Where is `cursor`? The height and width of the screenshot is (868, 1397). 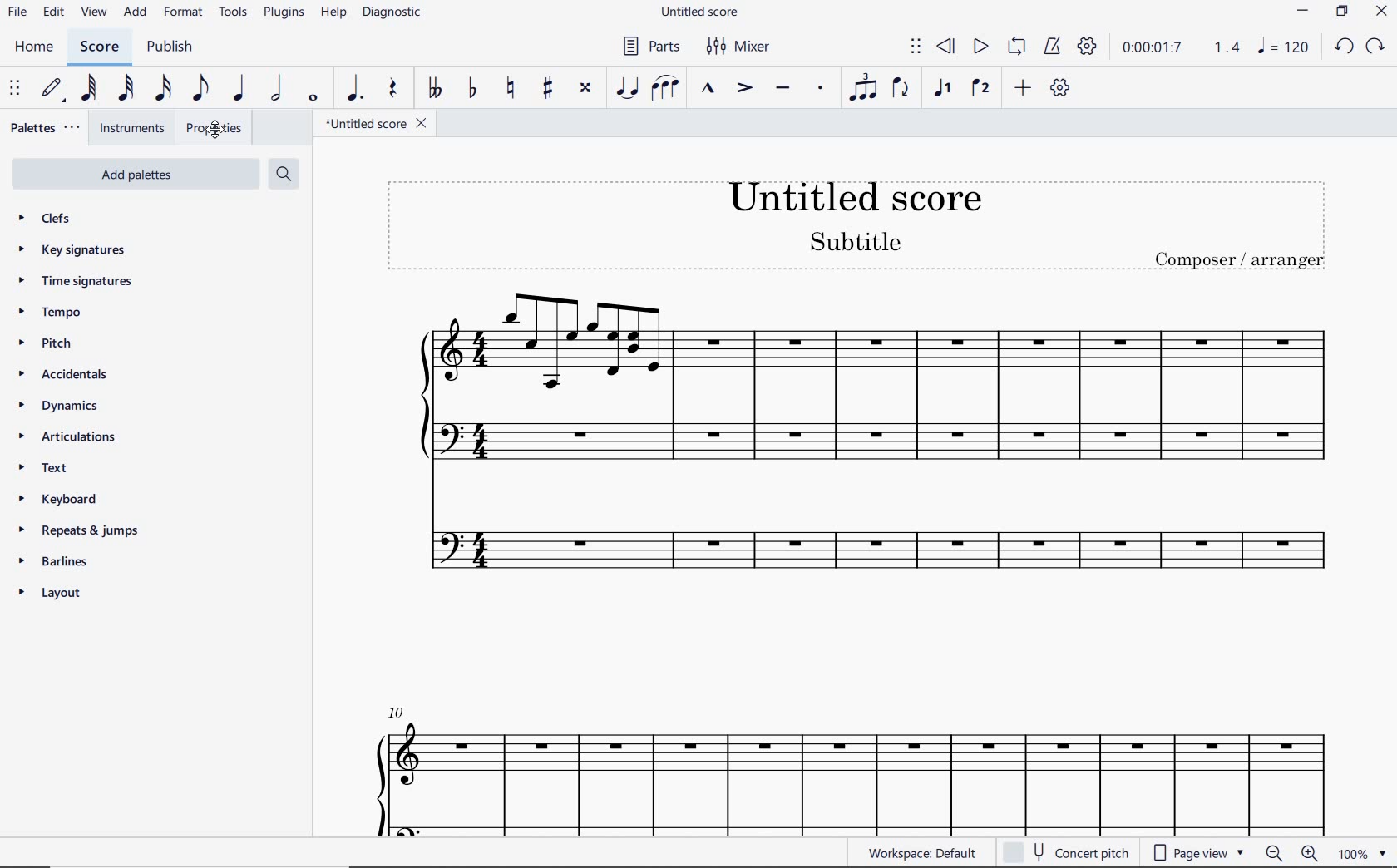
cursor is located at coordinates (213, 131).